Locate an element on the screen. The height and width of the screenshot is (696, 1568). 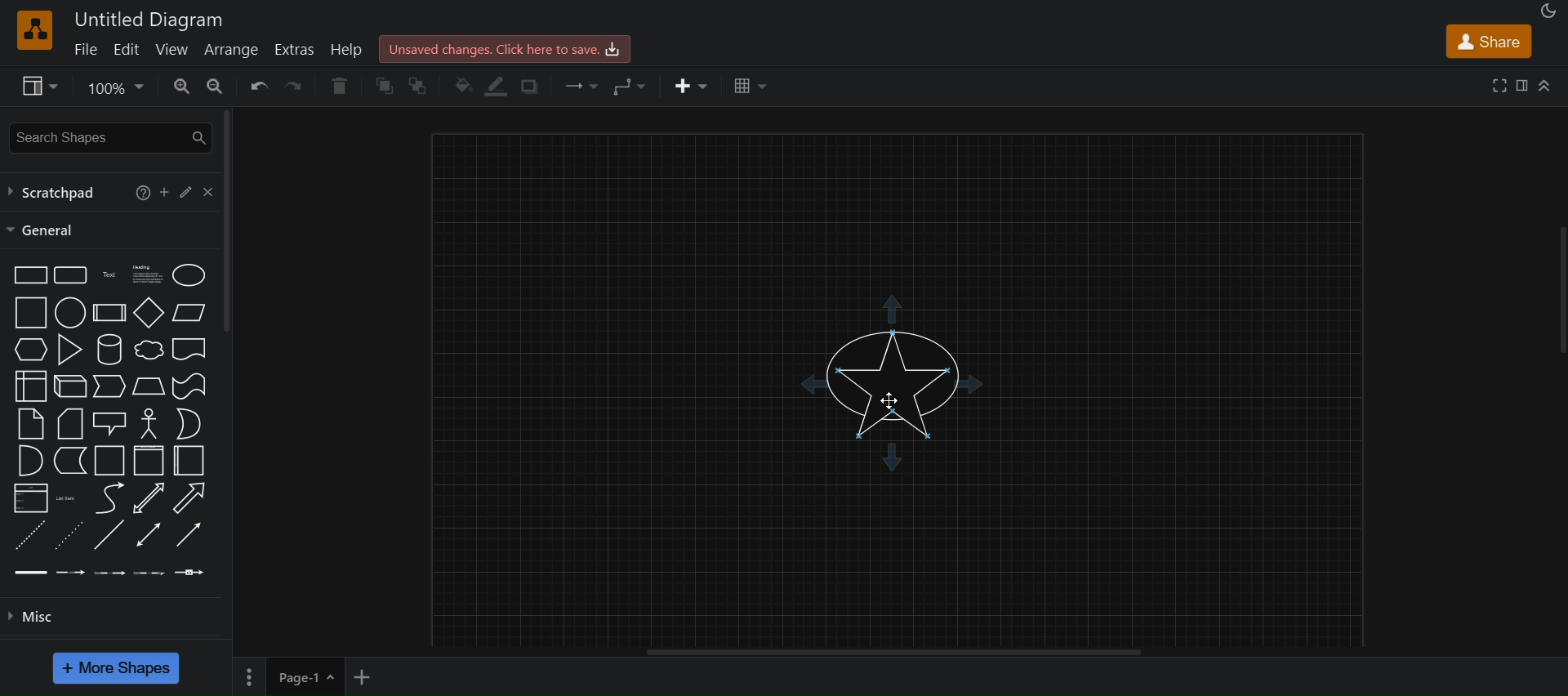
connetor with 2 lable is located at coordinates (109, 573).